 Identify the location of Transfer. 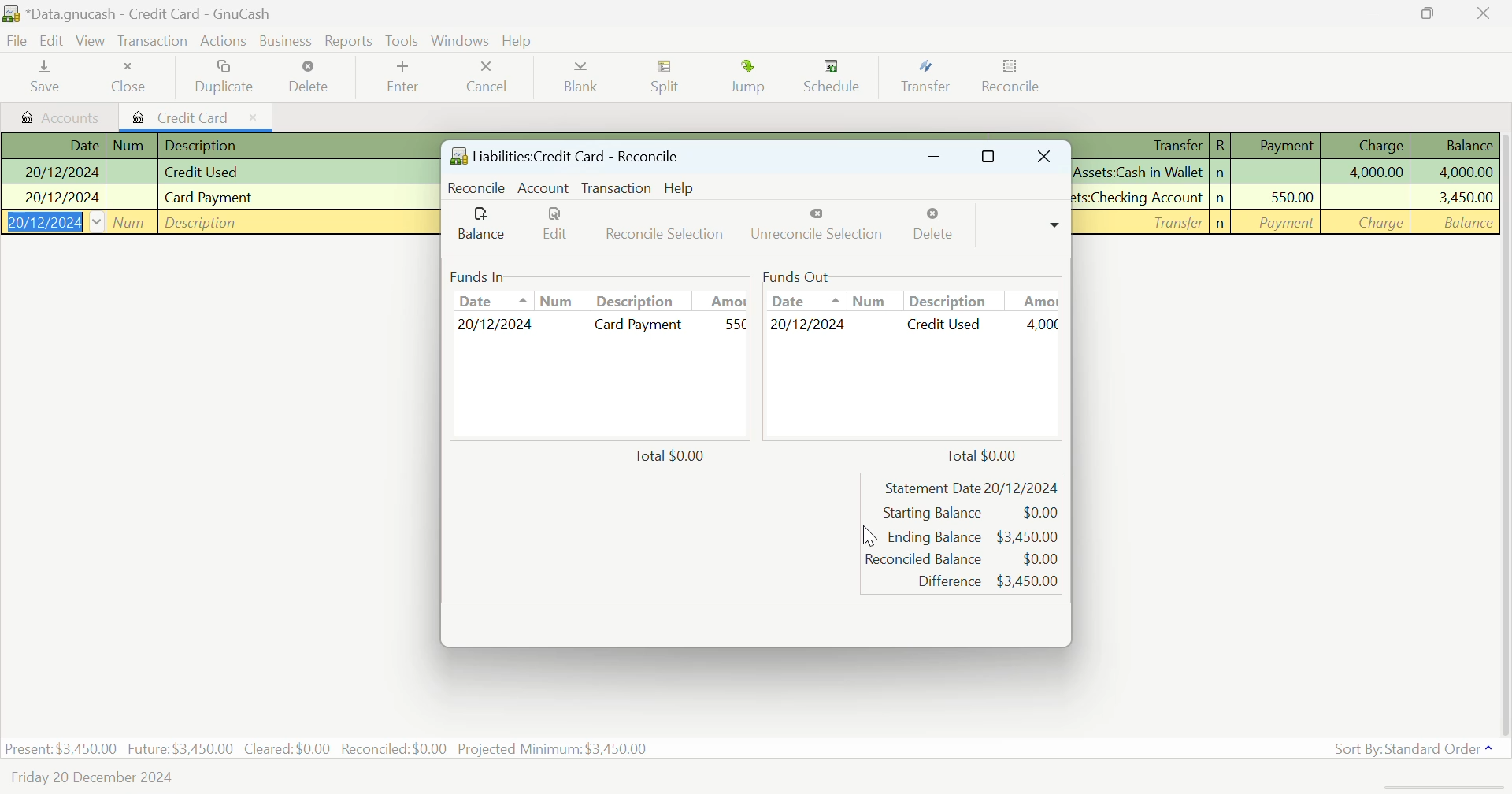
(922, 80).